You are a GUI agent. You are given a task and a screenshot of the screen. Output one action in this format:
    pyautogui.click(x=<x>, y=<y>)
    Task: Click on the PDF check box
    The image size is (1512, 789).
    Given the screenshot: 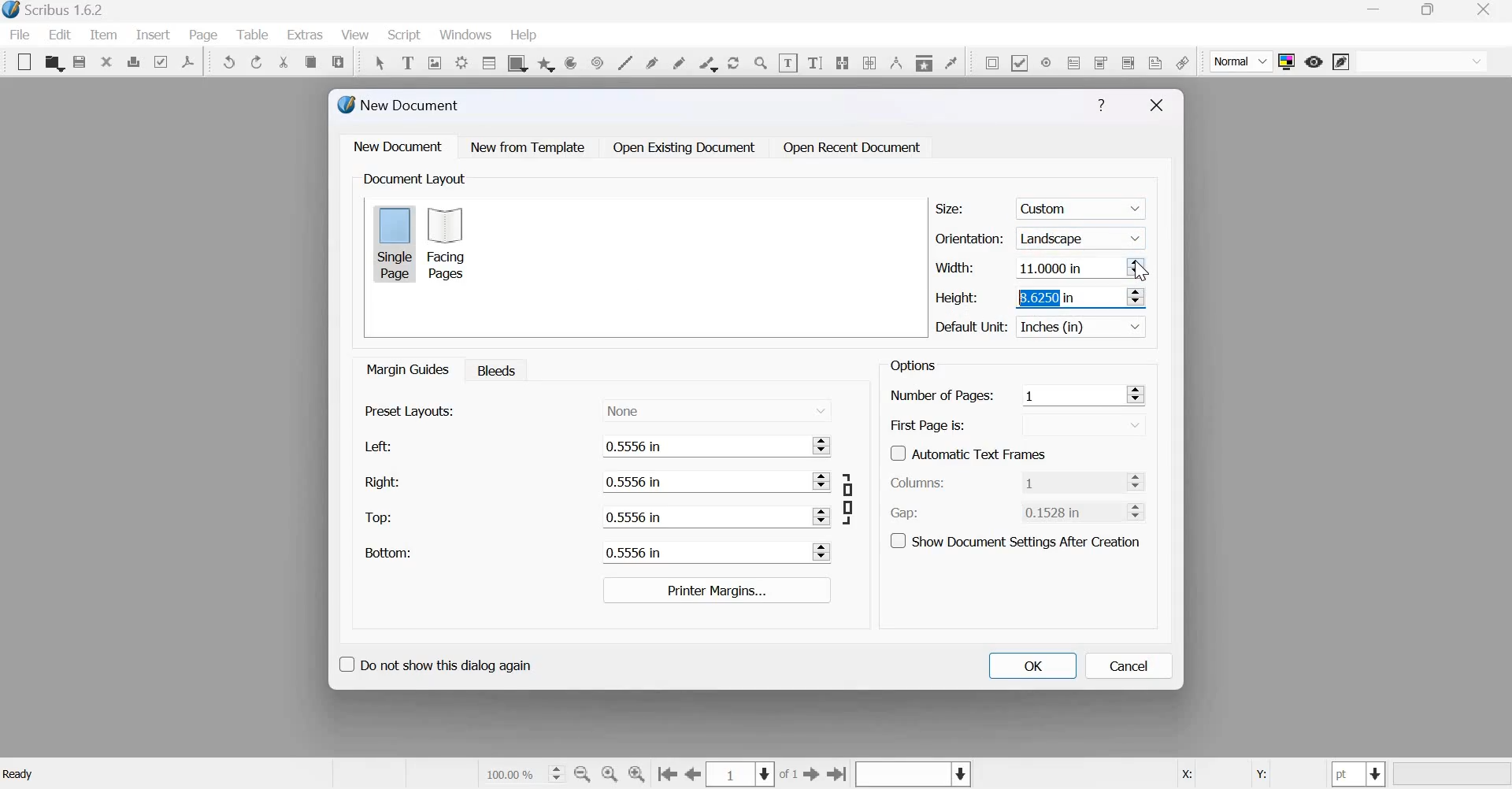 What is the action you would take?
    pyautogui.click(x=1019, y=61)
    